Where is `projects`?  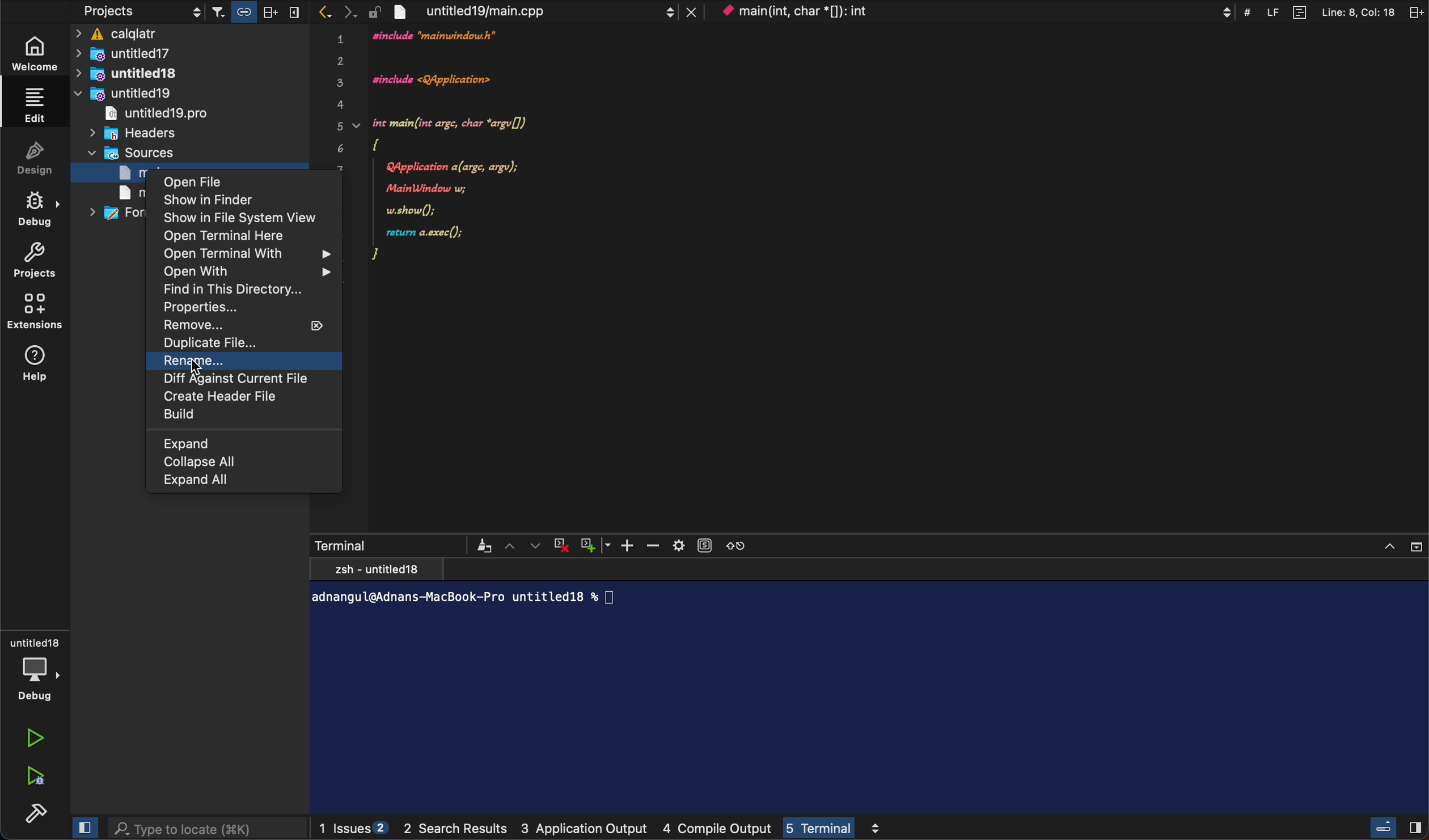 projects is located at coordinates (141, 12).